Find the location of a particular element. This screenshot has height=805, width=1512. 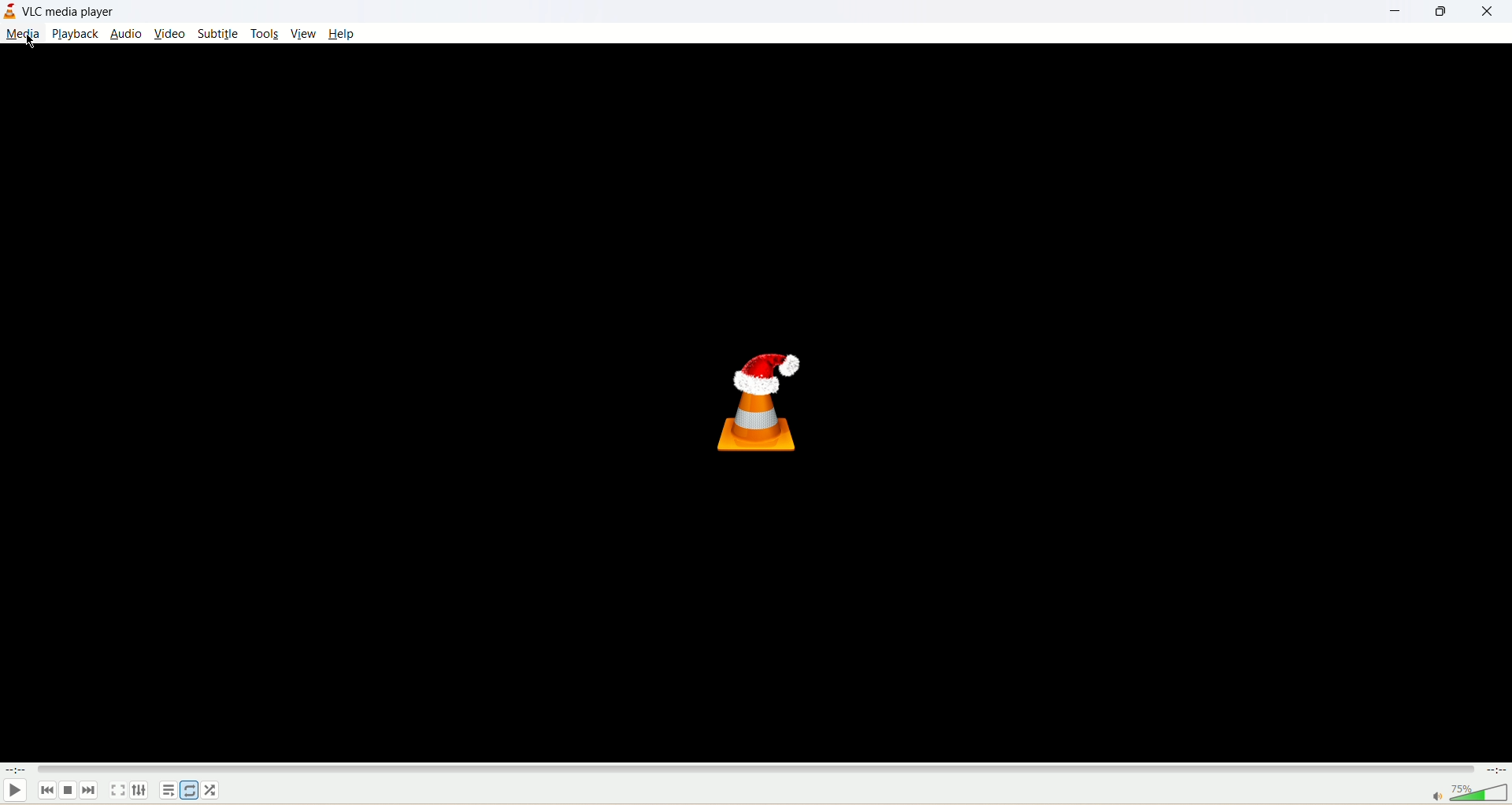

view is located at coordinates (303, 32).